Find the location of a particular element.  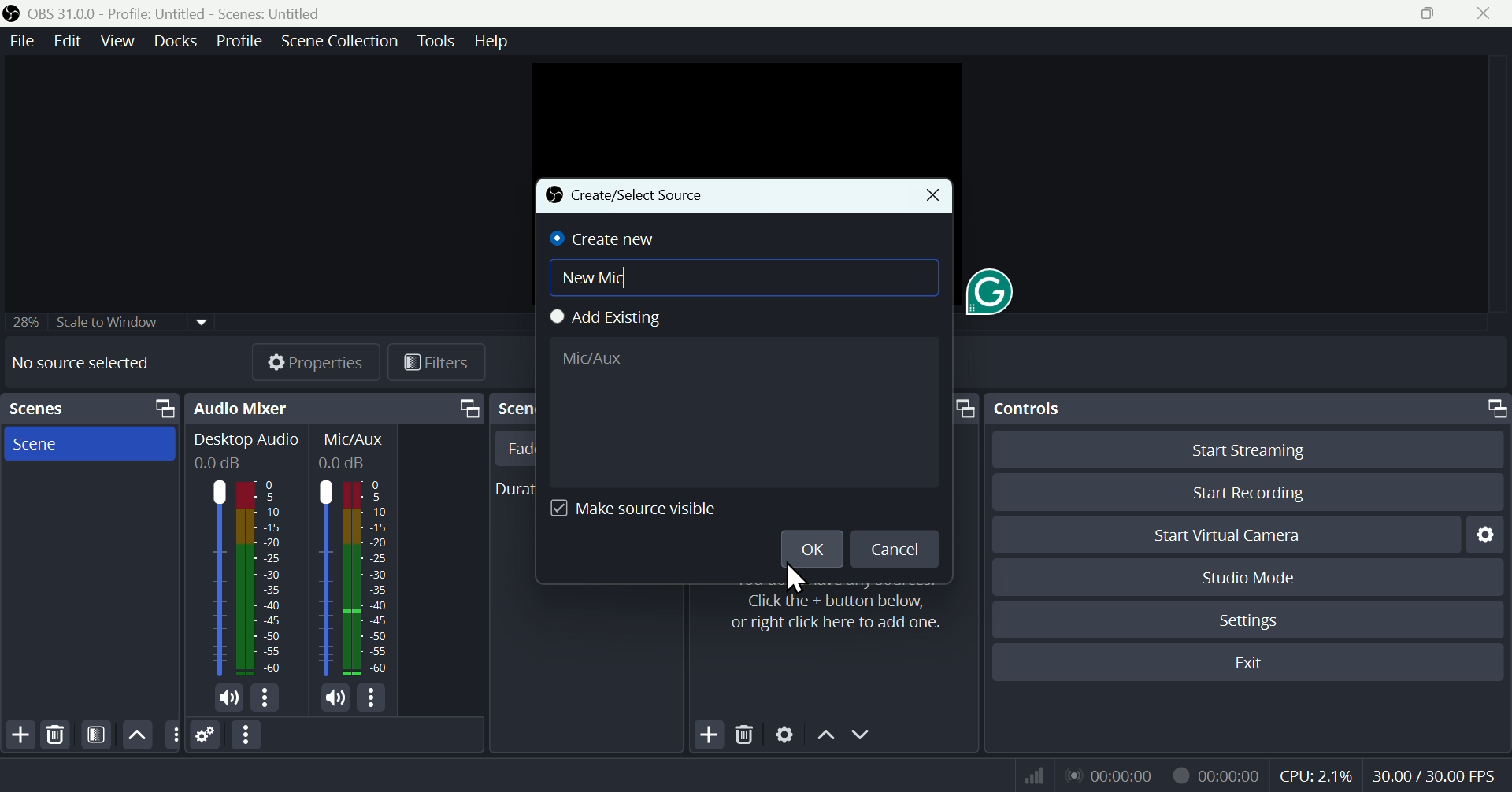

Audio mixer is located at coordinates (332, 409).